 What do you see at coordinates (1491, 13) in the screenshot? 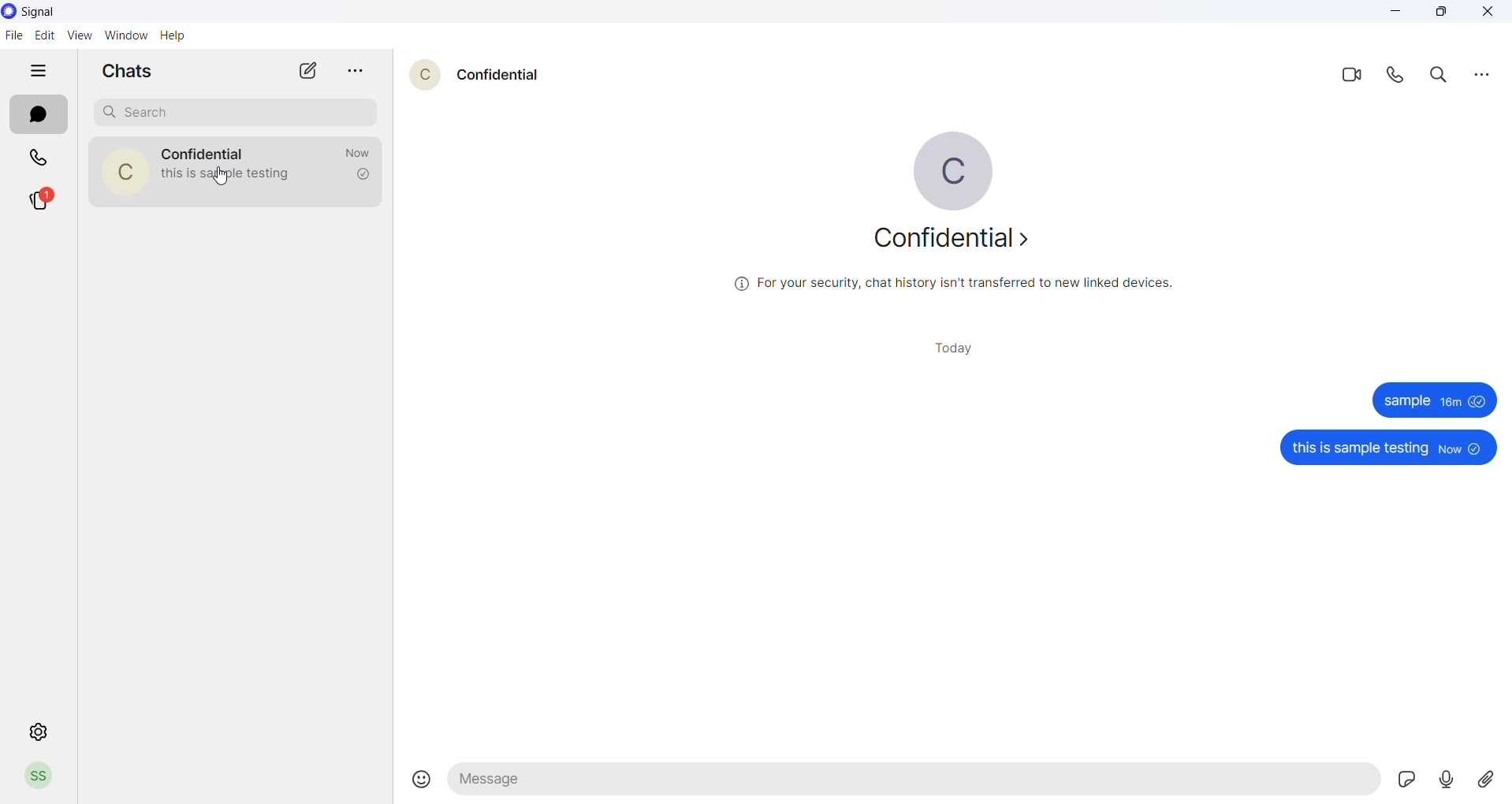
I see `close` at bounding box center [1491, 13].